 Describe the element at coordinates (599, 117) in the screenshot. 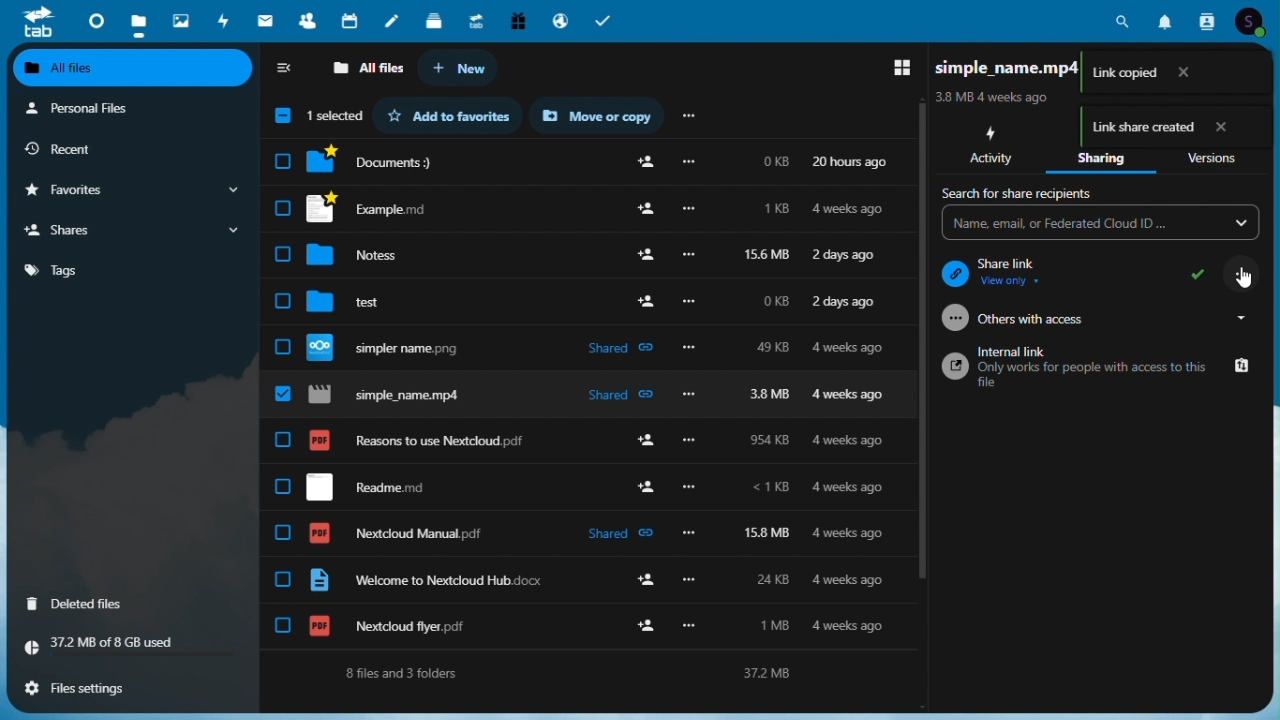

I see `Move or copy` at that location.